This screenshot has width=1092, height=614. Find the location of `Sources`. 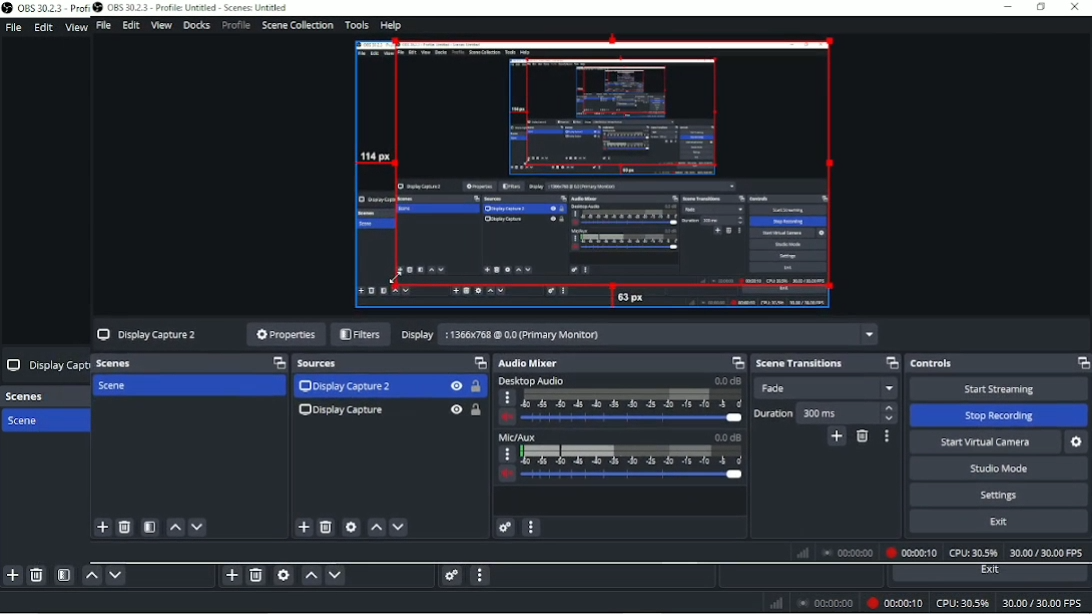

Sources is located at coordinates (328, 363).